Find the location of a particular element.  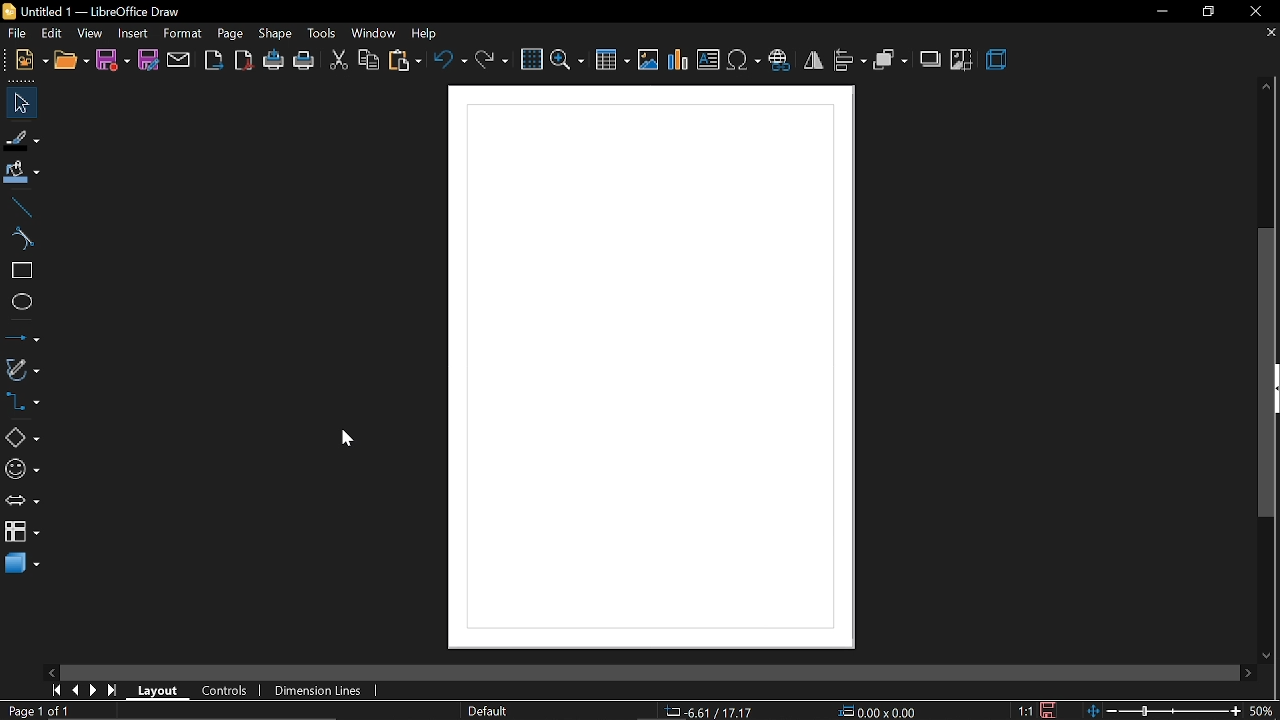

undo is located at coordinates (450, 61).